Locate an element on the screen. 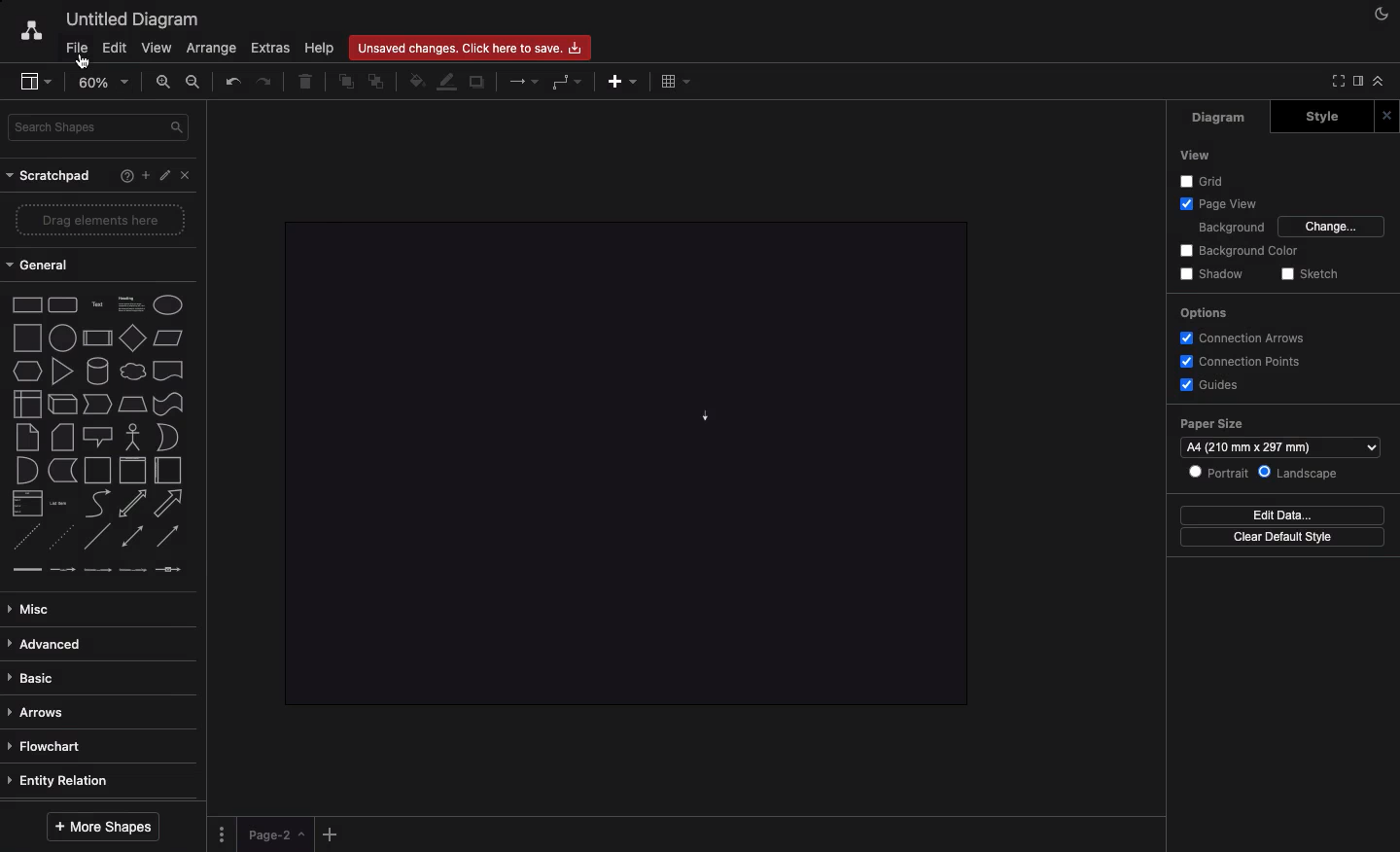 This screenshot has height=852, width=1400. Close is located at coordinates (1386, 116).